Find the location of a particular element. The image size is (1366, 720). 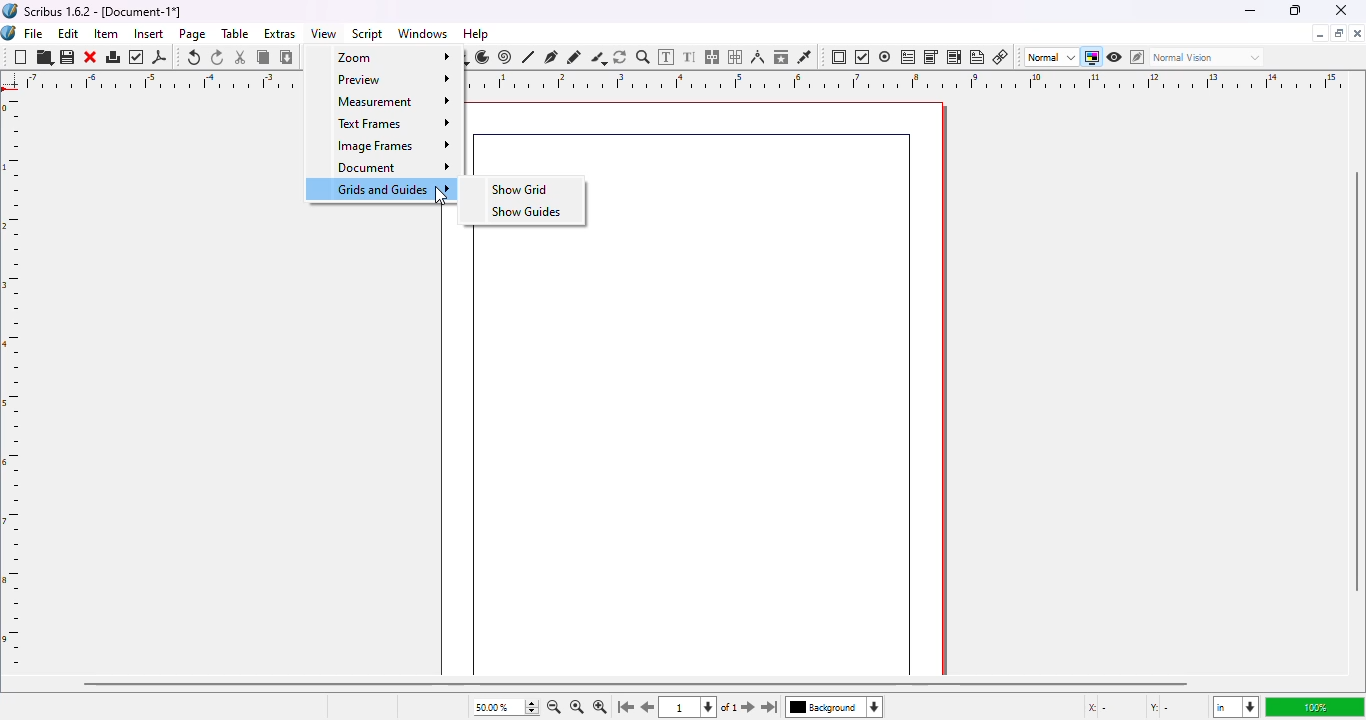

show grid is located at coordinates (520, 188).